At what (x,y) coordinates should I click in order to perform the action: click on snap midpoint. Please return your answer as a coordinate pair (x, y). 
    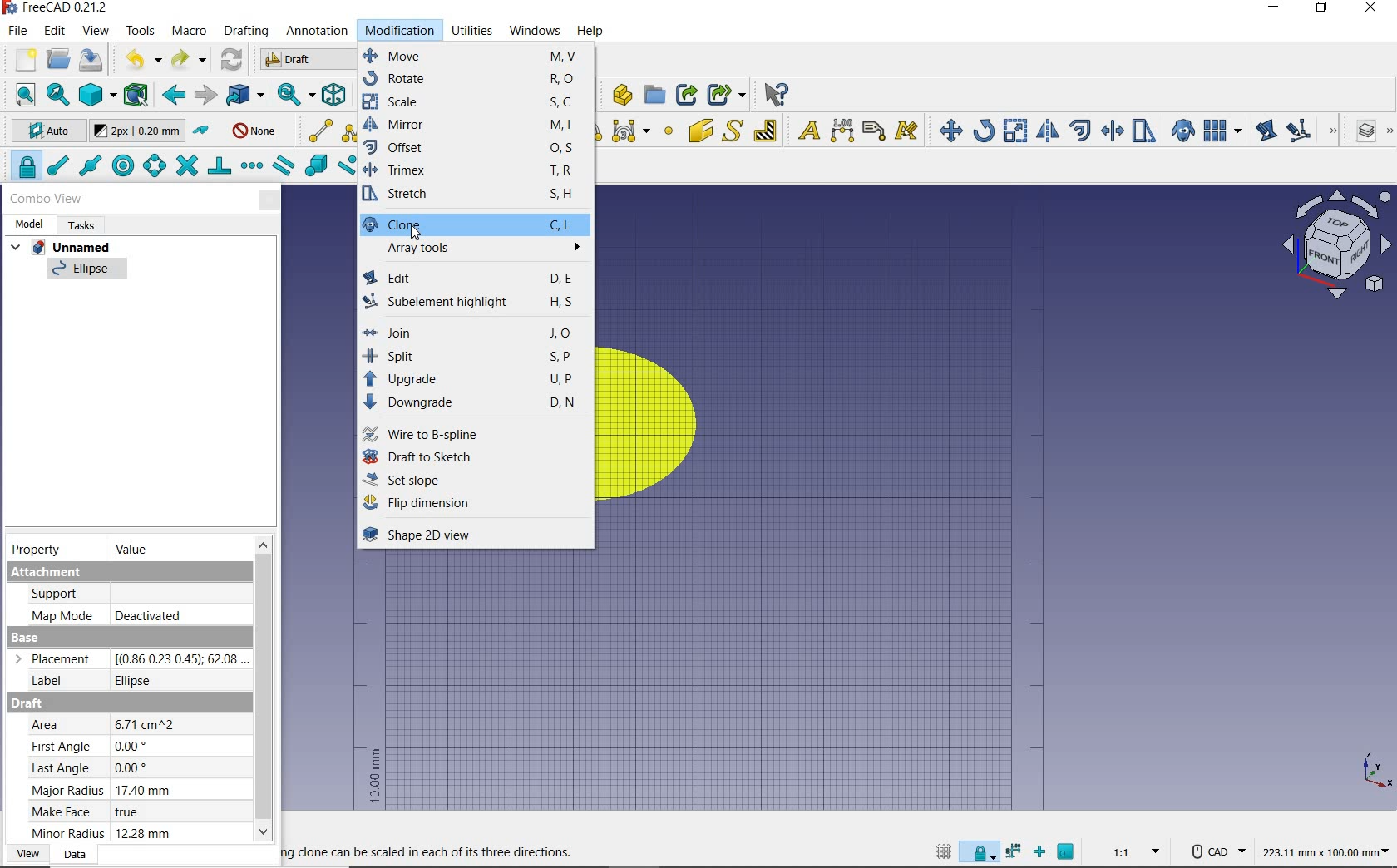
    Looking at the image, I should click on (91, 165).